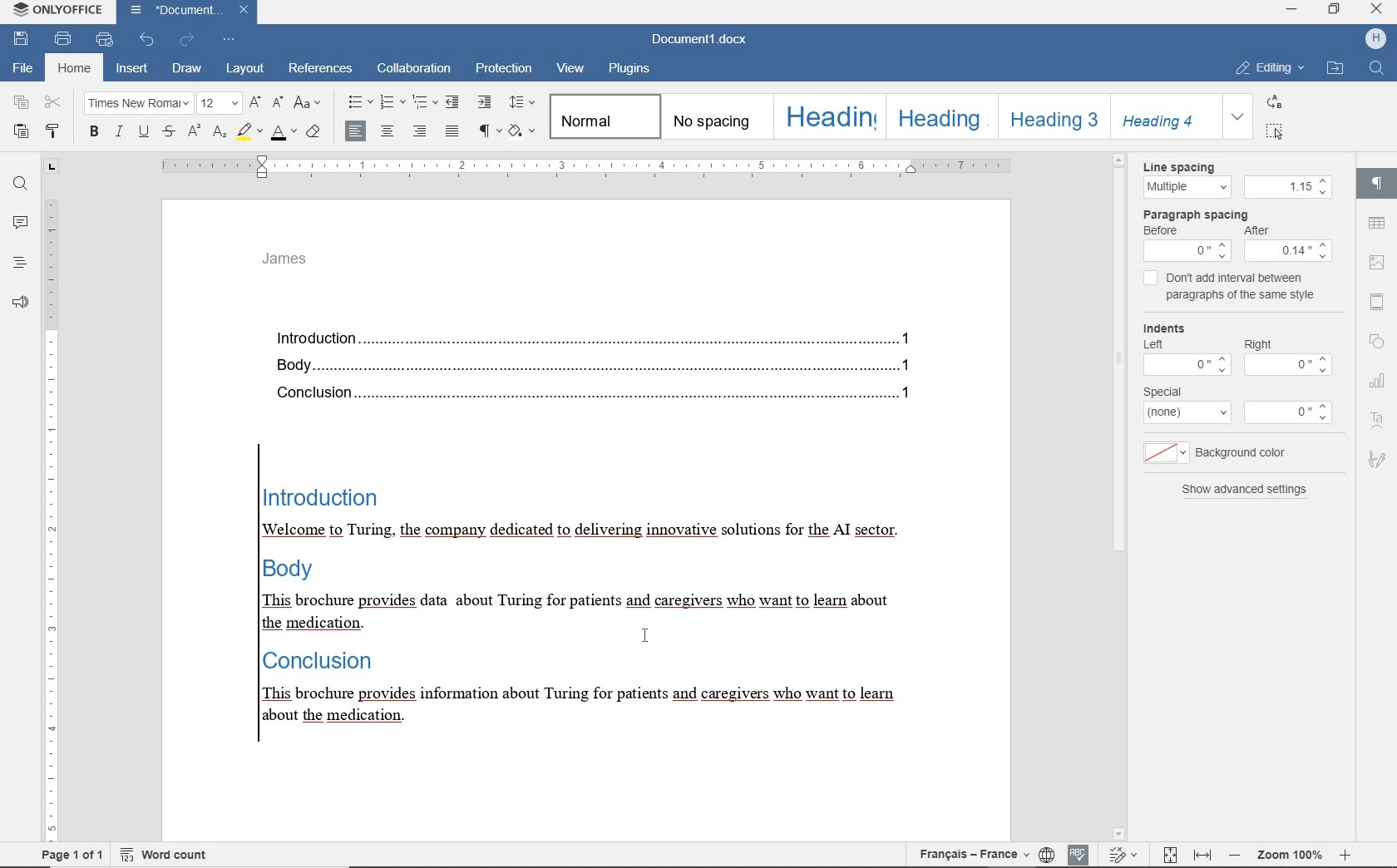 The width and height of the screenshot is (1397, 868). What do you see at coordinates (1375, 68) in the screenshot?
I see `search` at bounding box center [1375, 68].